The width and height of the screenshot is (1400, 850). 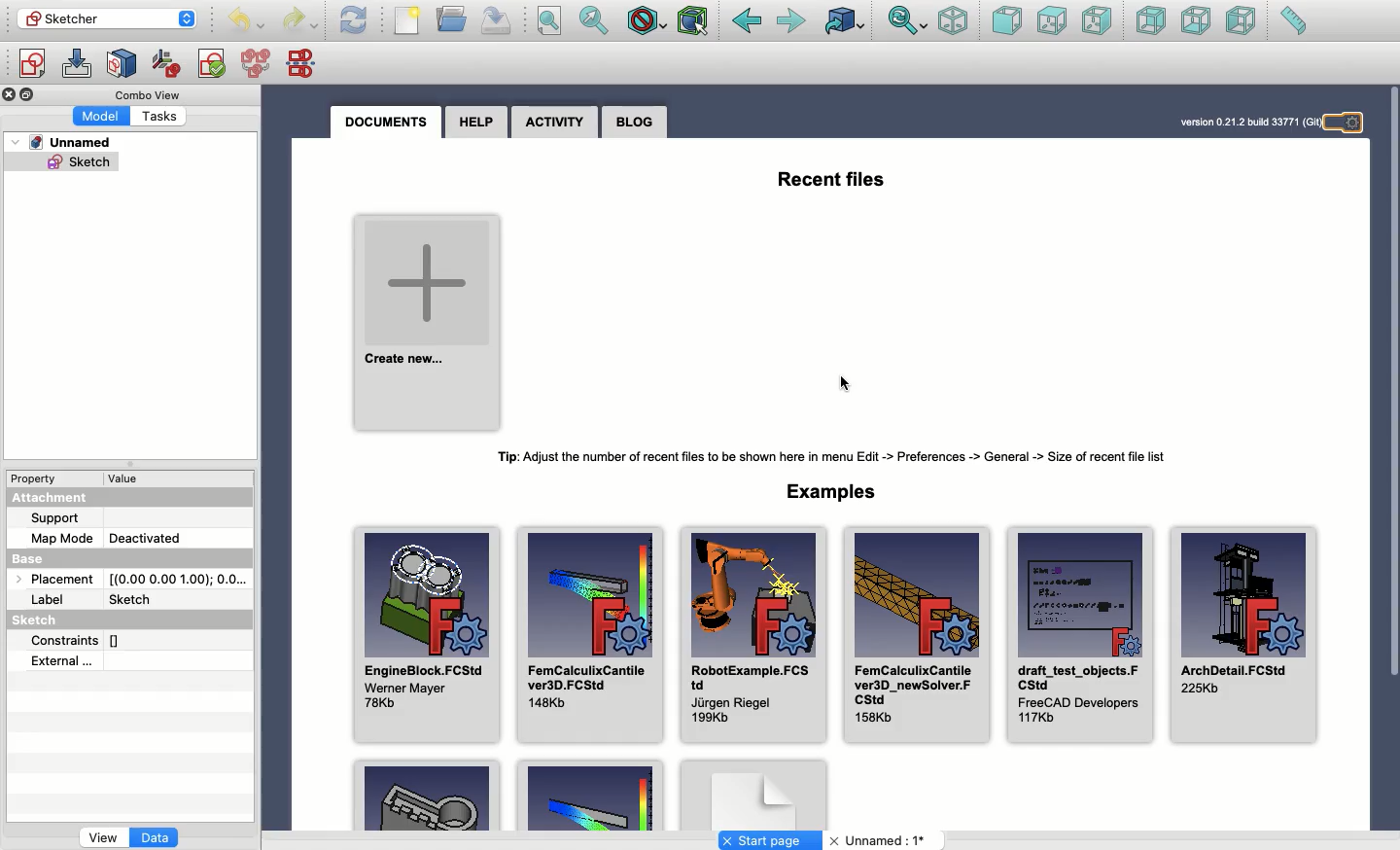 What do you see at coordinates (1393, 382) in the screenshot?
I see `Scroll` at bounding box center [1393, 382].